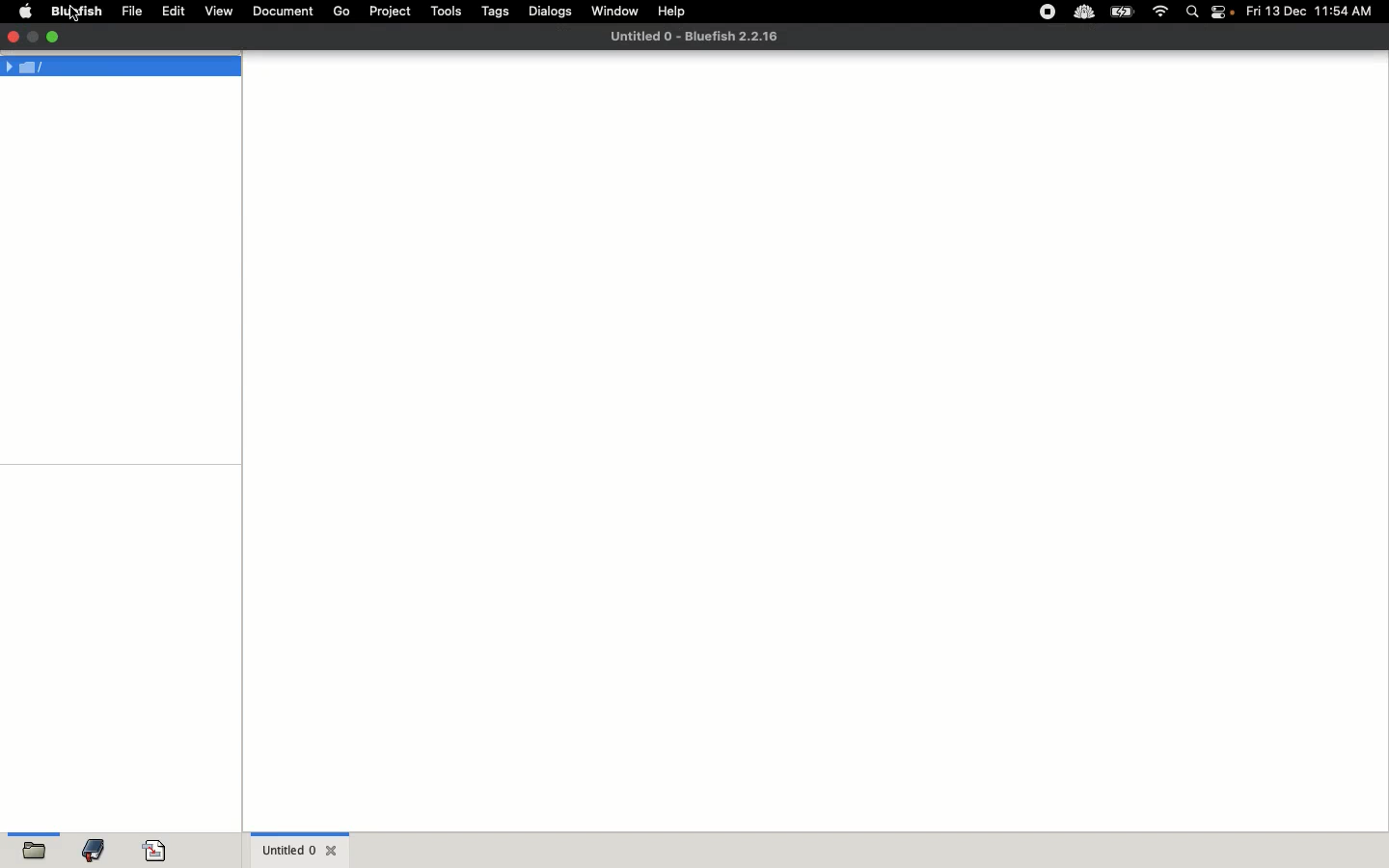 The height and width of the screenshot is (868, 1389). What do you see at coordinates (95, 854) in the screenshot?
I see `Bookmark` at bounding box center [95, 854].